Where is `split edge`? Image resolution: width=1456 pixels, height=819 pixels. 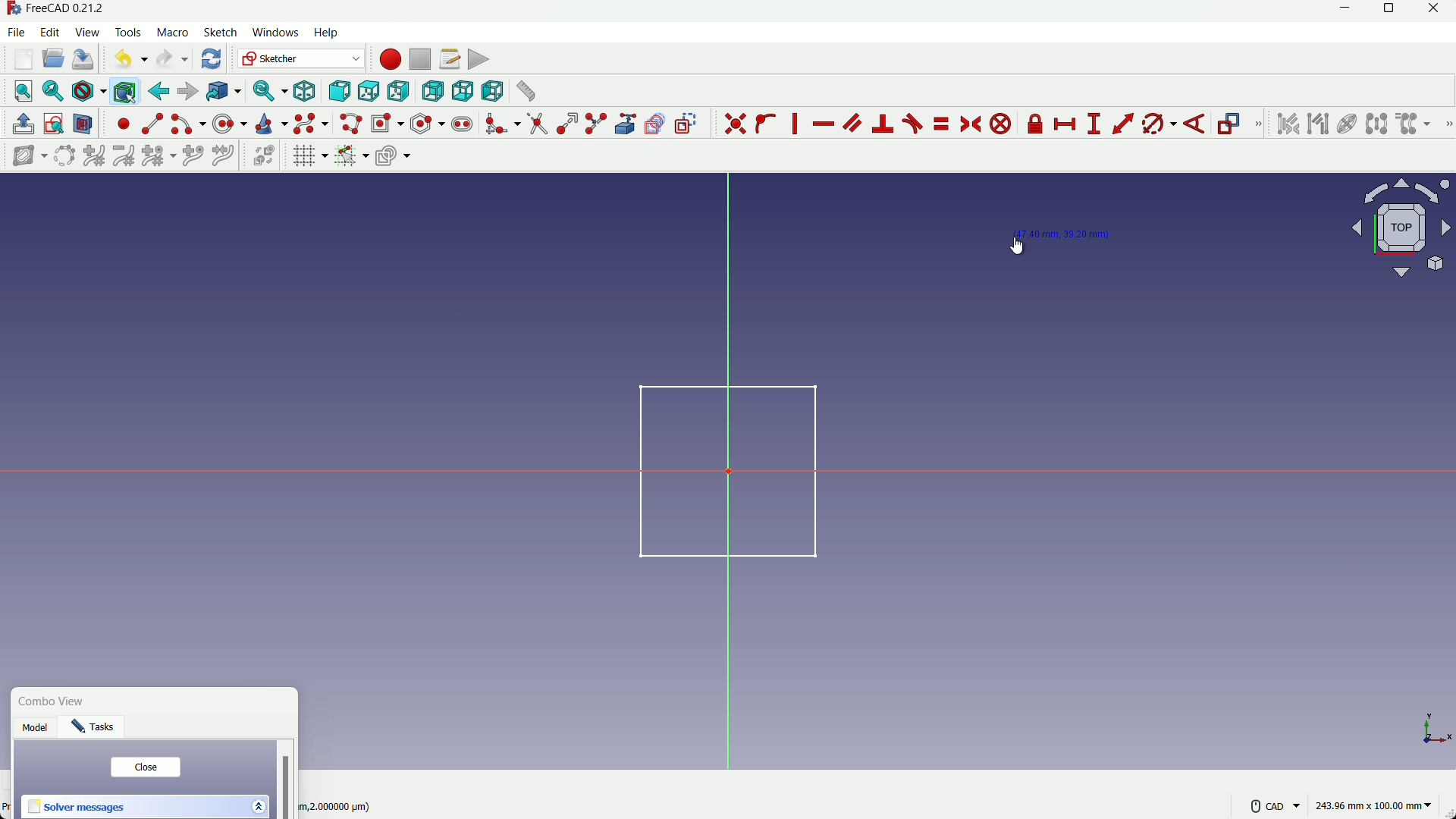 split edge is located at coordinates (598, 124).